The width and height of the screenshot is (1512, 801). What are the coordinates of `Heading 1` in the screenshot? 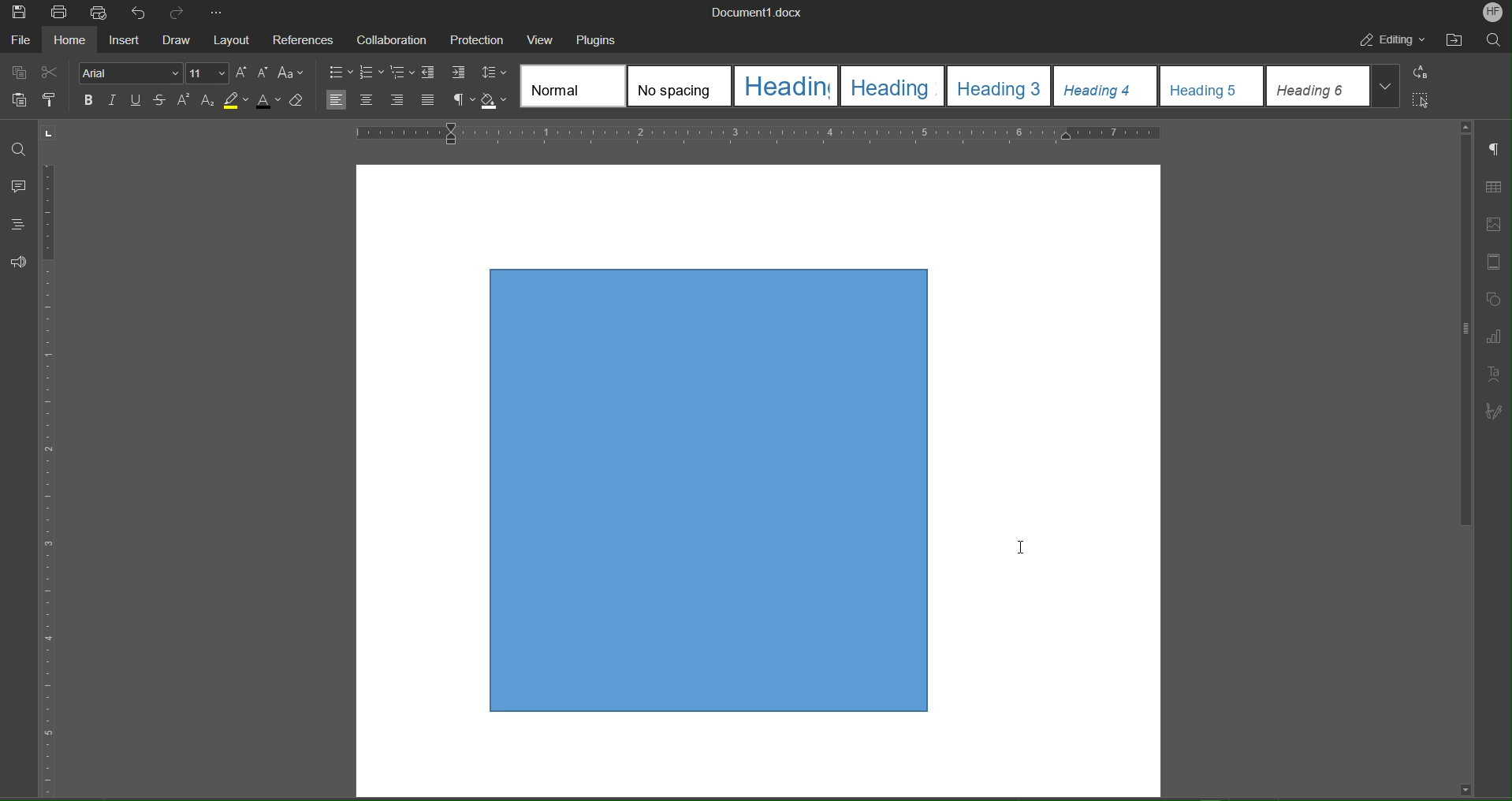 It's located at (785, 84).